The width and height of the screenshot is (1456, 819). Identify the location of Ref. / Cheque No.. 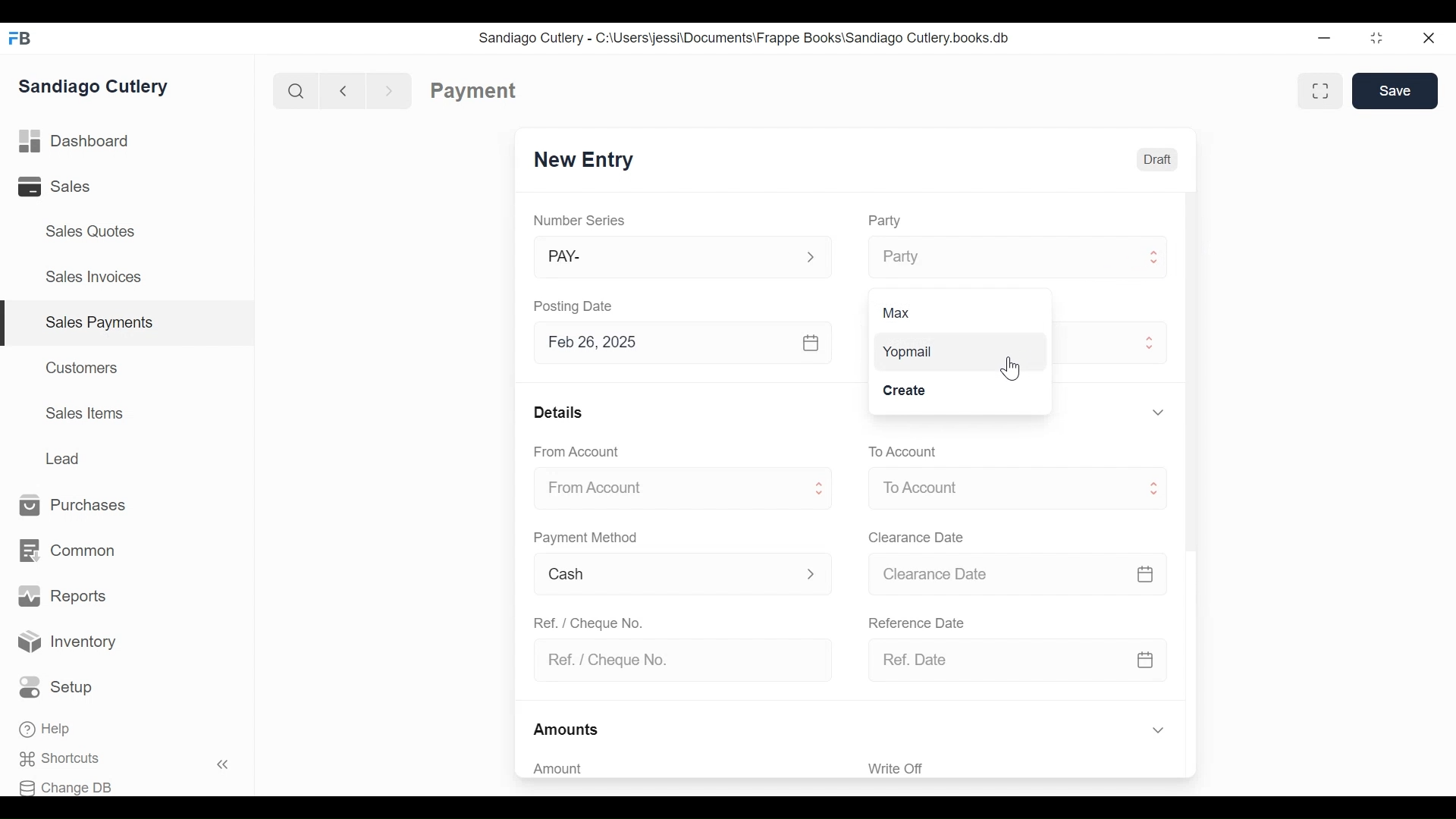
(676, 661).